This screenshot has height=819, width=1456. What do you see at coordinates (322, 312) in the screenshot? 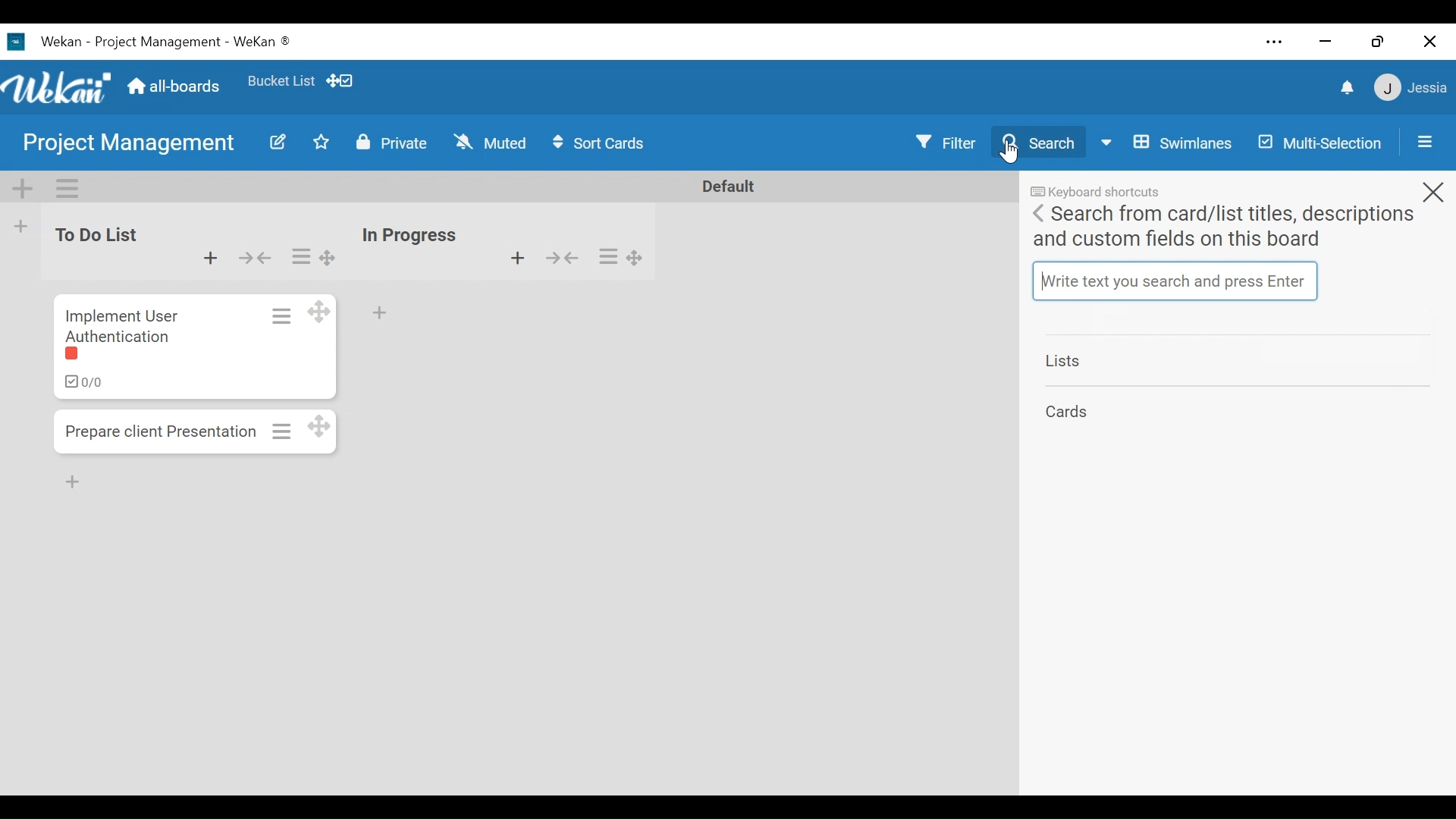
I see `Desktop drag handles` at bounding box center [322, 312].